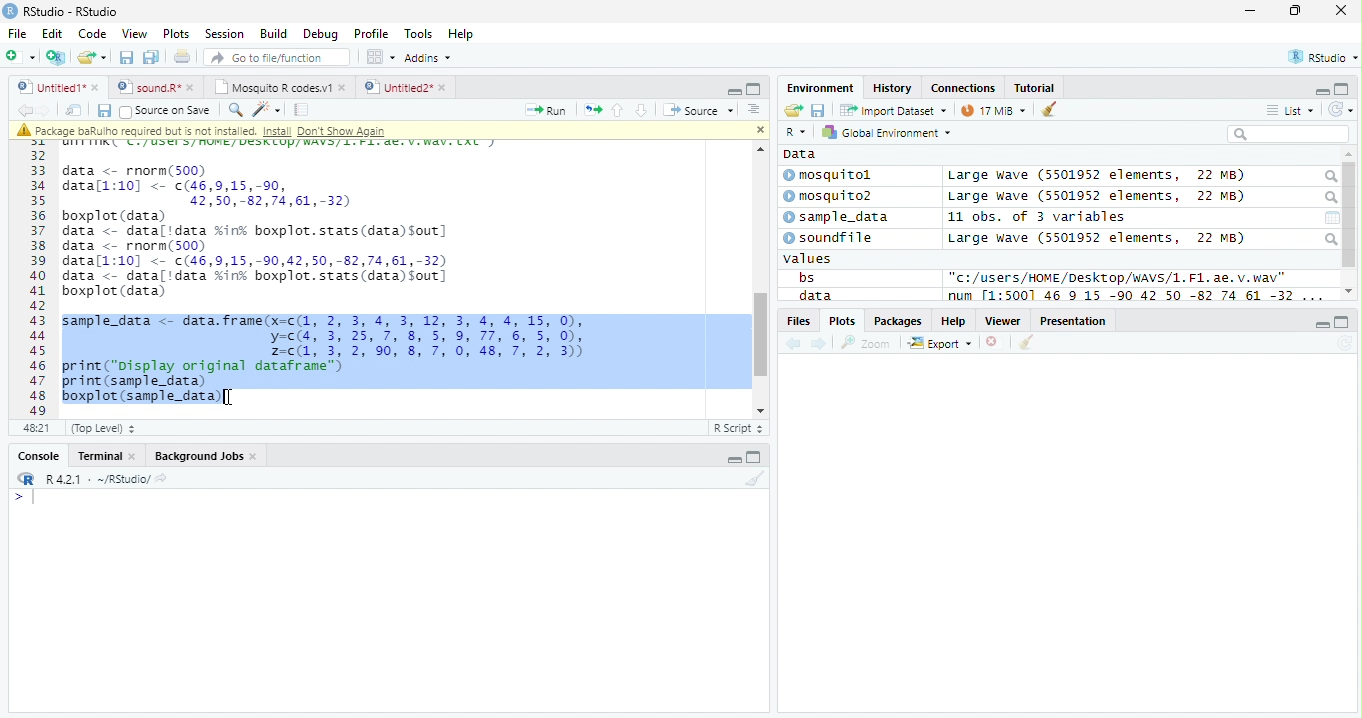  What do you see at coordinates (996, 342) in the screenshot?
I see `delete file` at bounding box center [996, 342].